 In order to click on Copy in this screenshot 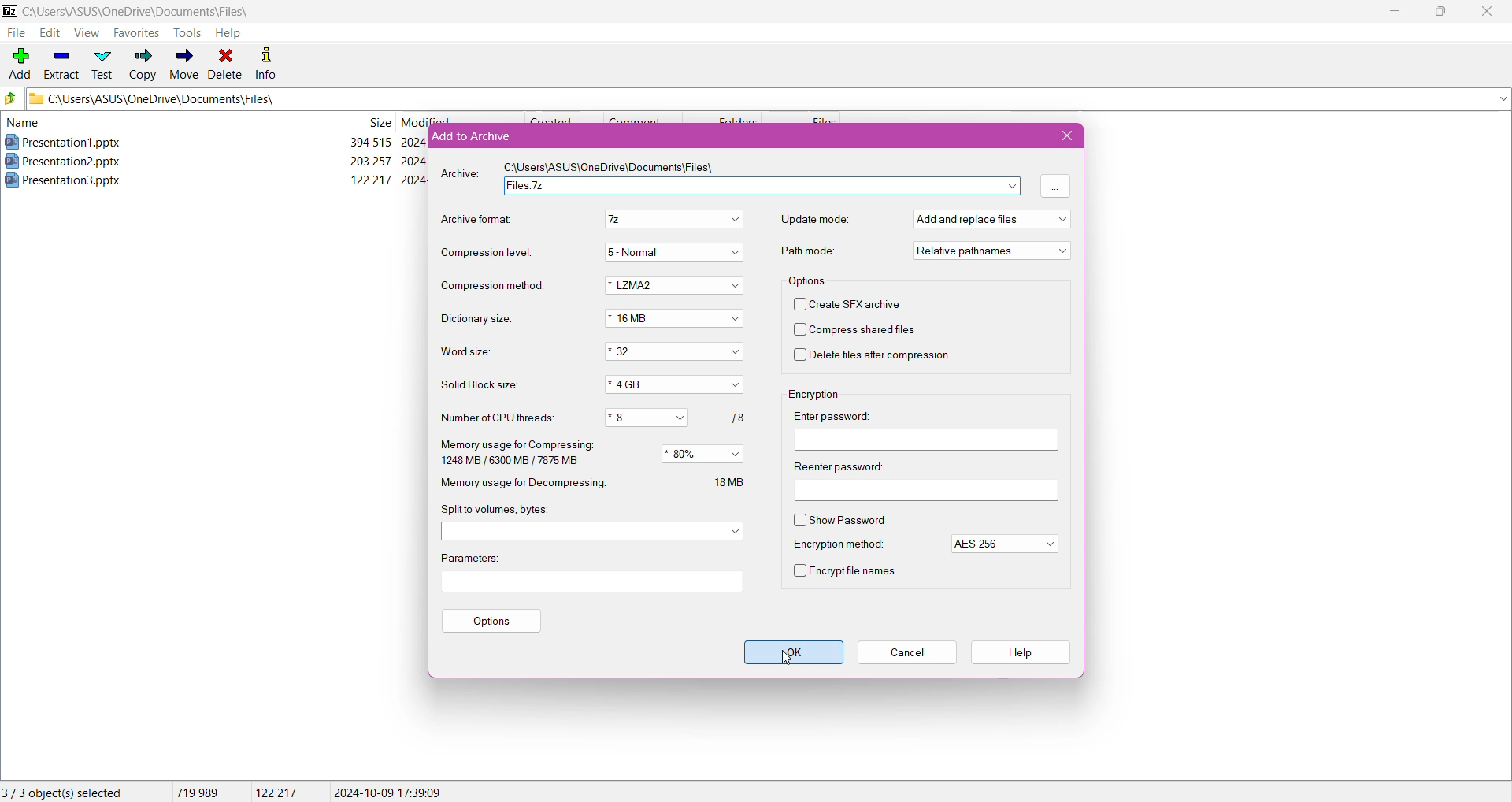, I will do `click(143, 66)`.